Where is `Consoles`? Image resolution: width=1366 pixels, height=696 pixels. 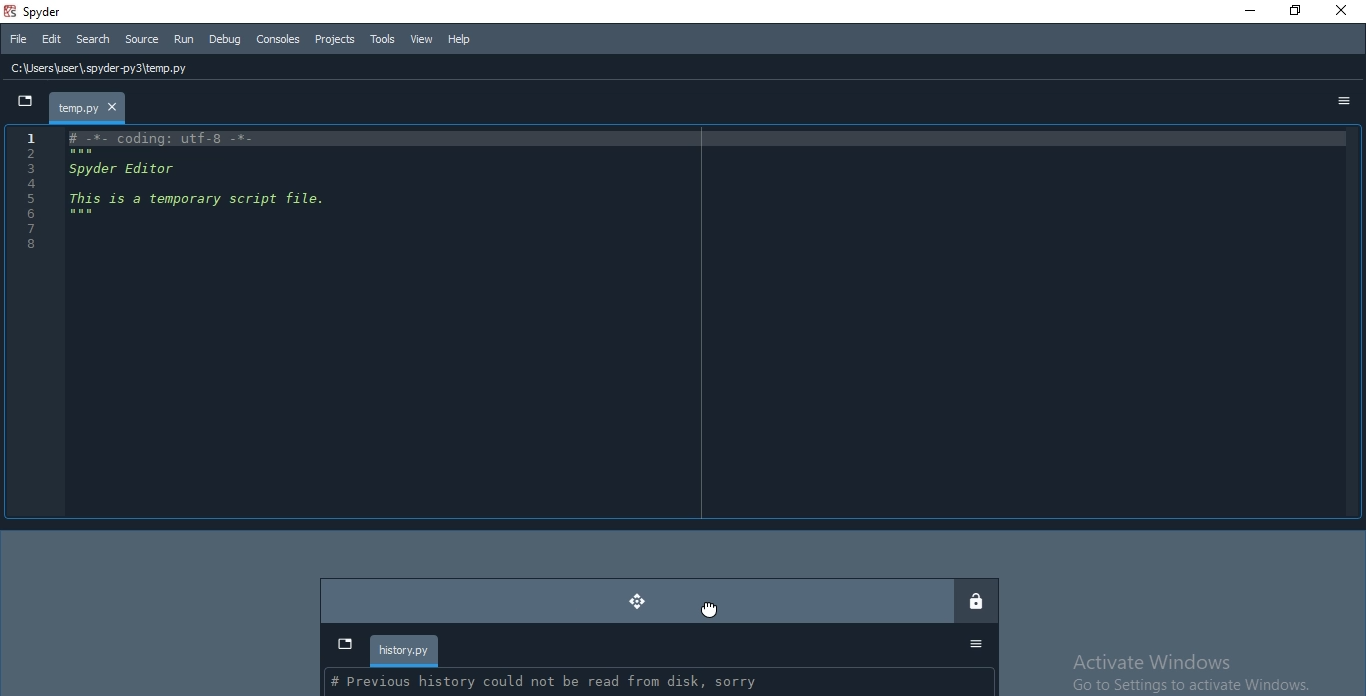 Consoles is located at coordinates (279, 39).